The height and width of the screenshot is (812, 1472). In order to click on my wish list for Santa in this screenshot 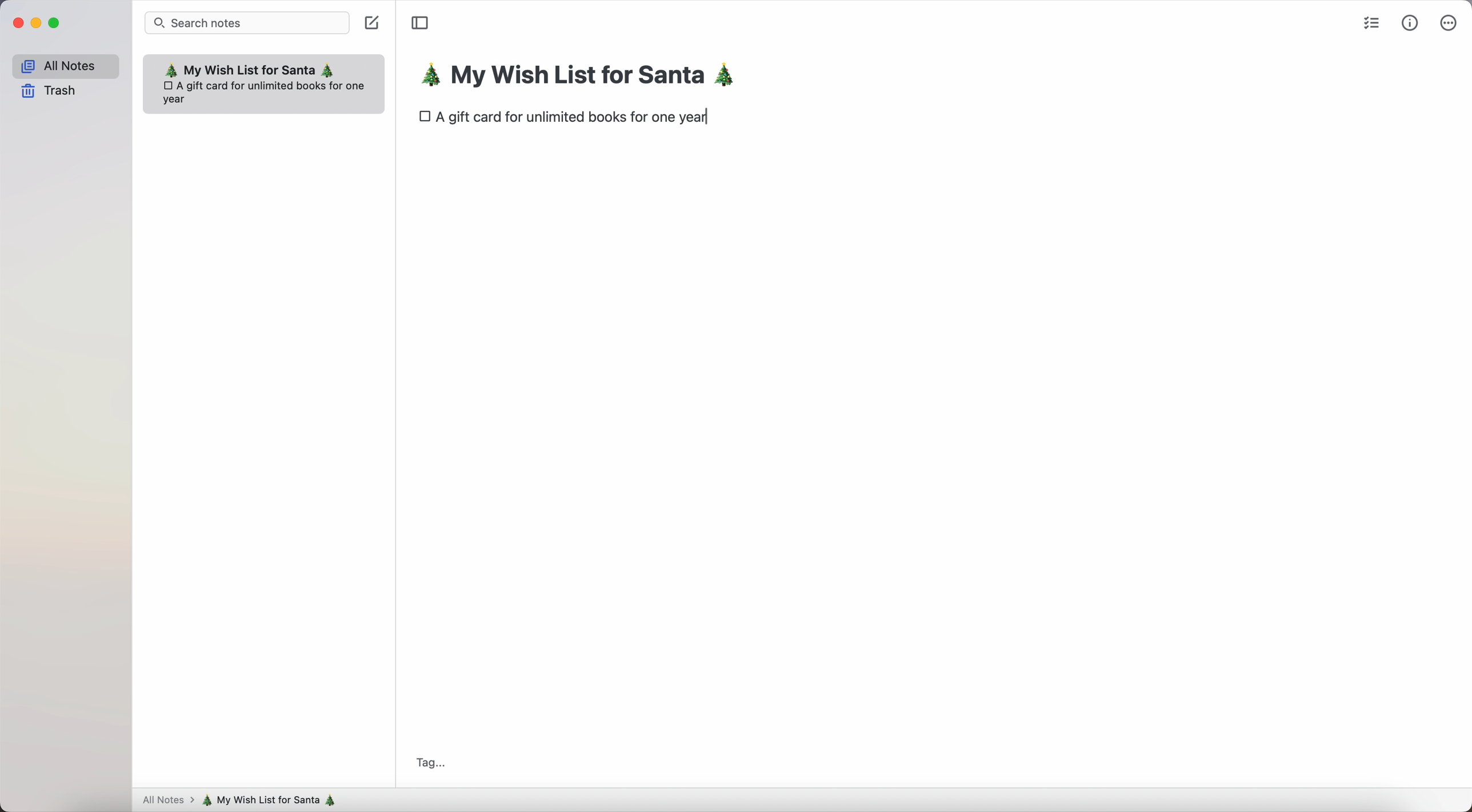, I will do `click(585, 77)`.